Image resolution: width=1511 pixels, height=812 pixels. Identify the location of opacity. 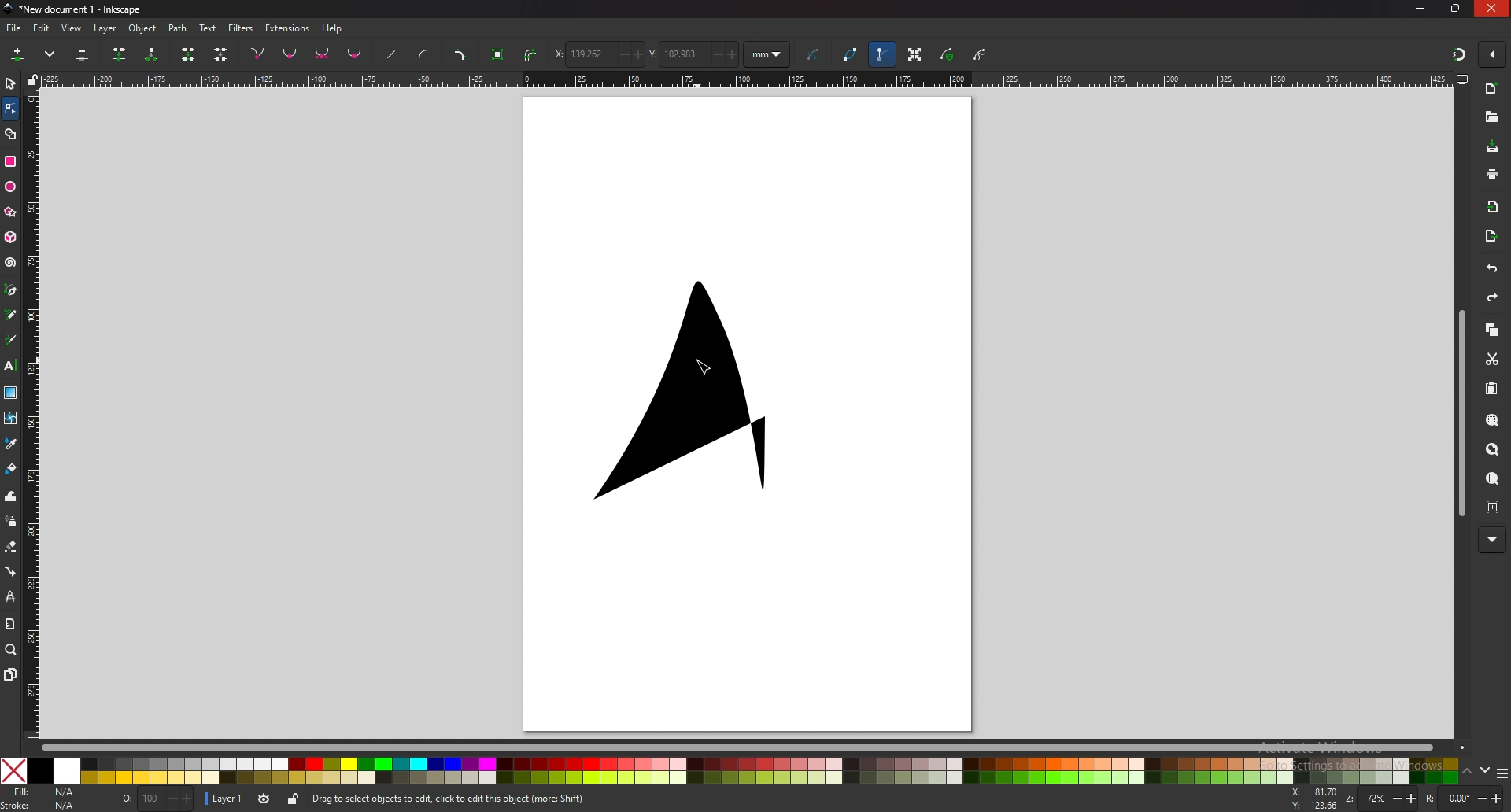
(157, 799).